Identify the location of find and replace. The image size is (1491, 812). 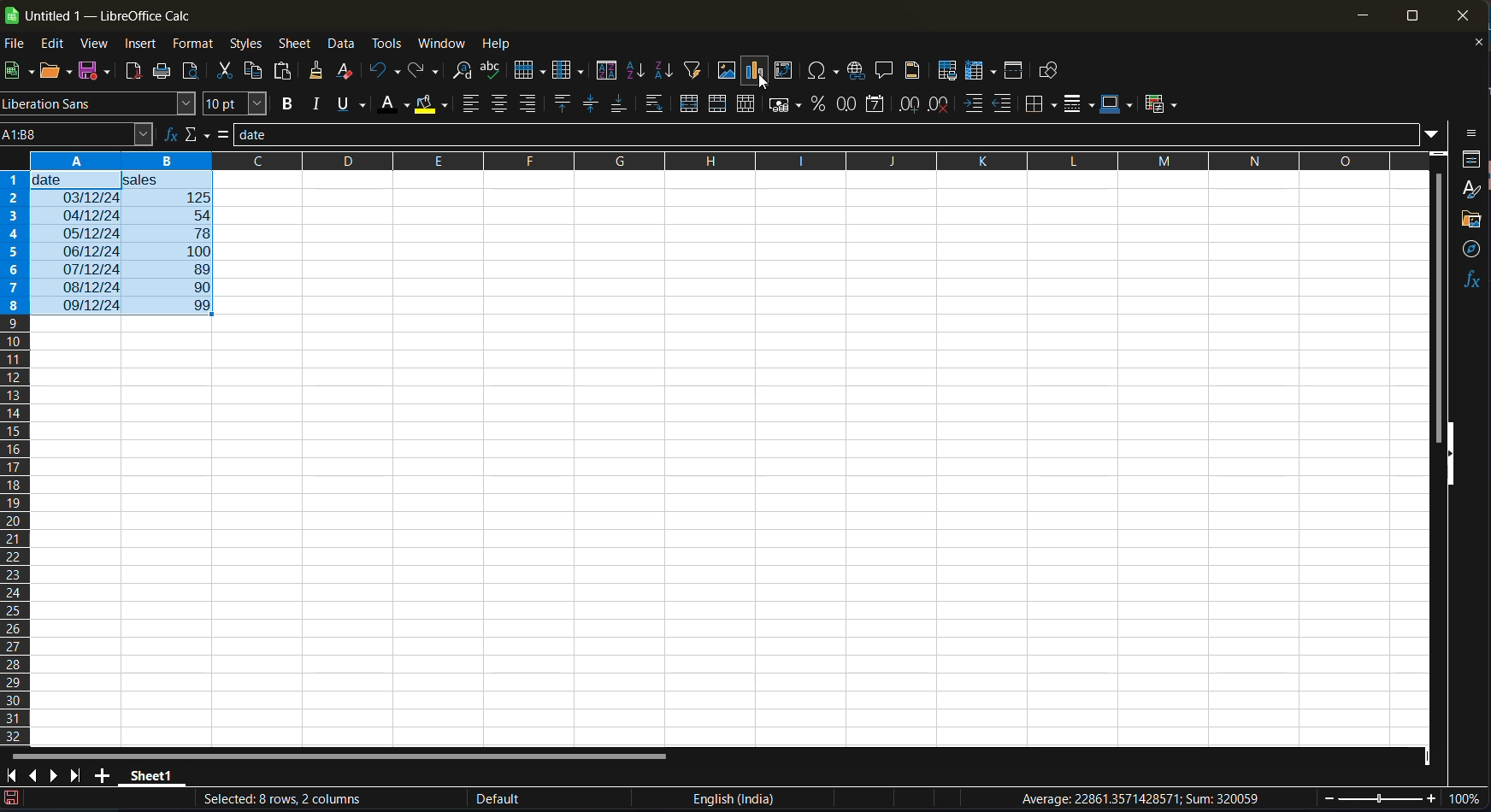
(462, 74).